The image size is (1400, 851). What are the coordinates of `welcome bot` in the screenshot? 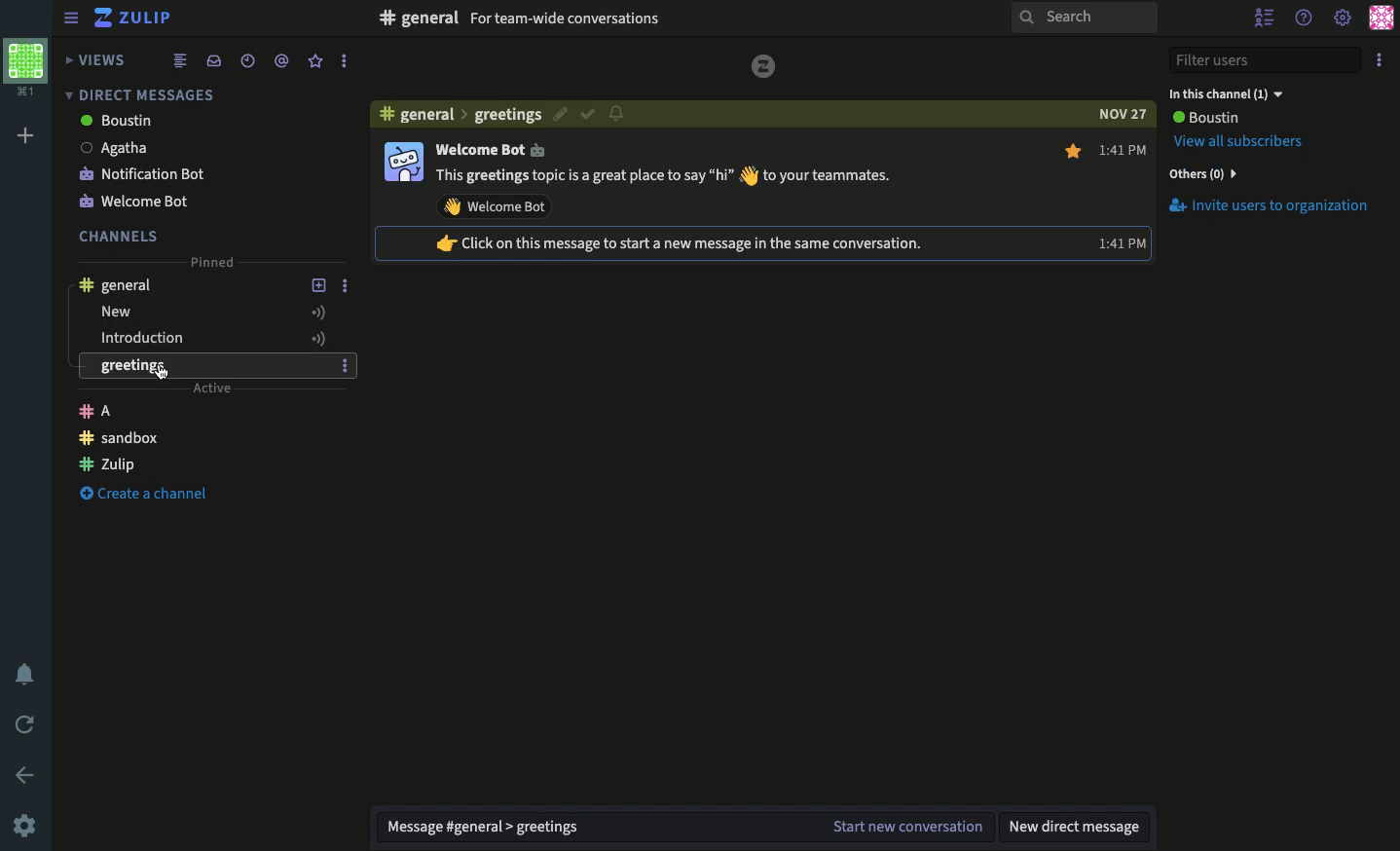 It's located at (492, 150).